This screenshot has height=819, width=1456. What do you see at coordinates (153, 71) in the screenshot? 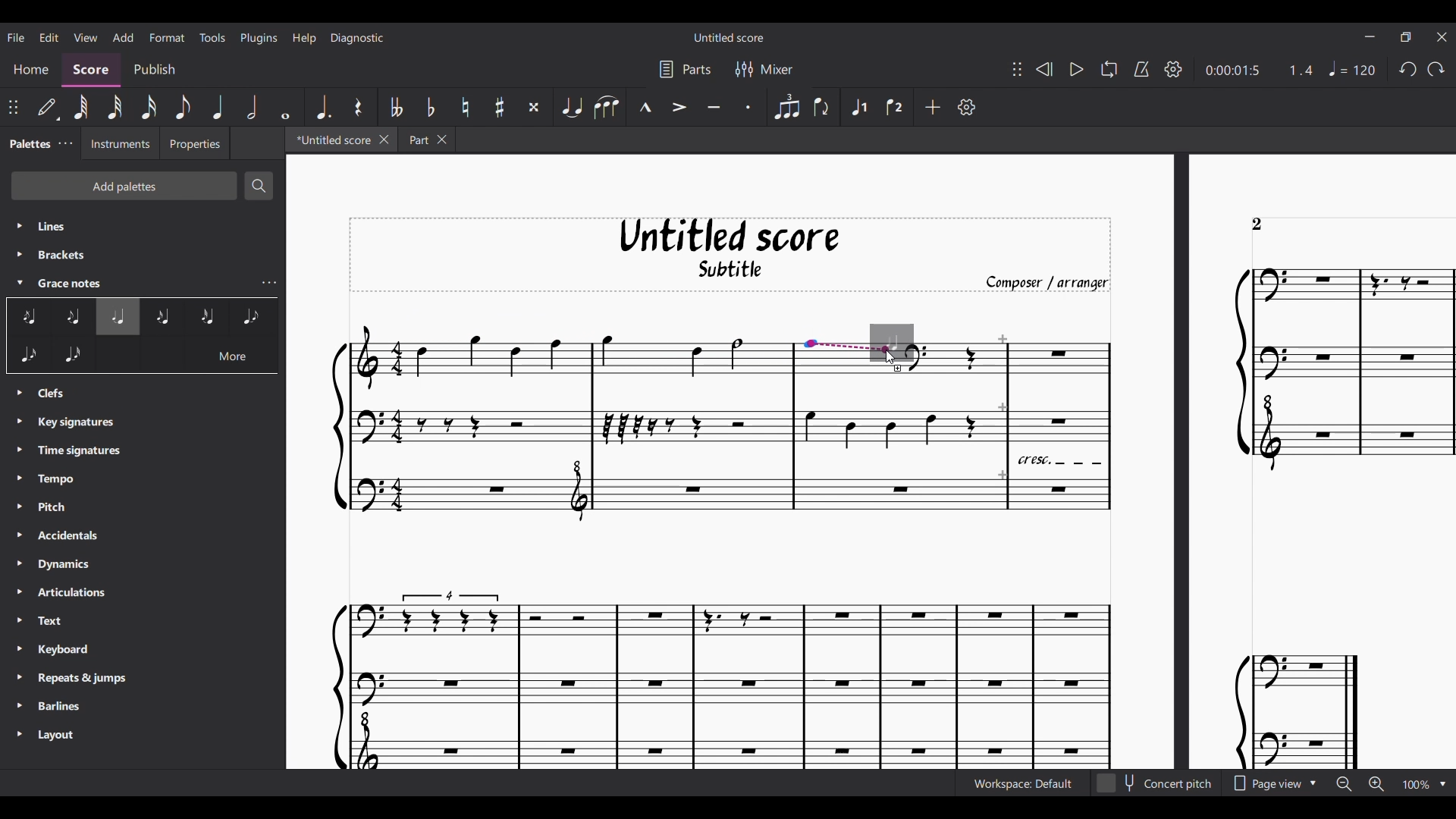
I see `Publish section` at bounding box center [153, 71].